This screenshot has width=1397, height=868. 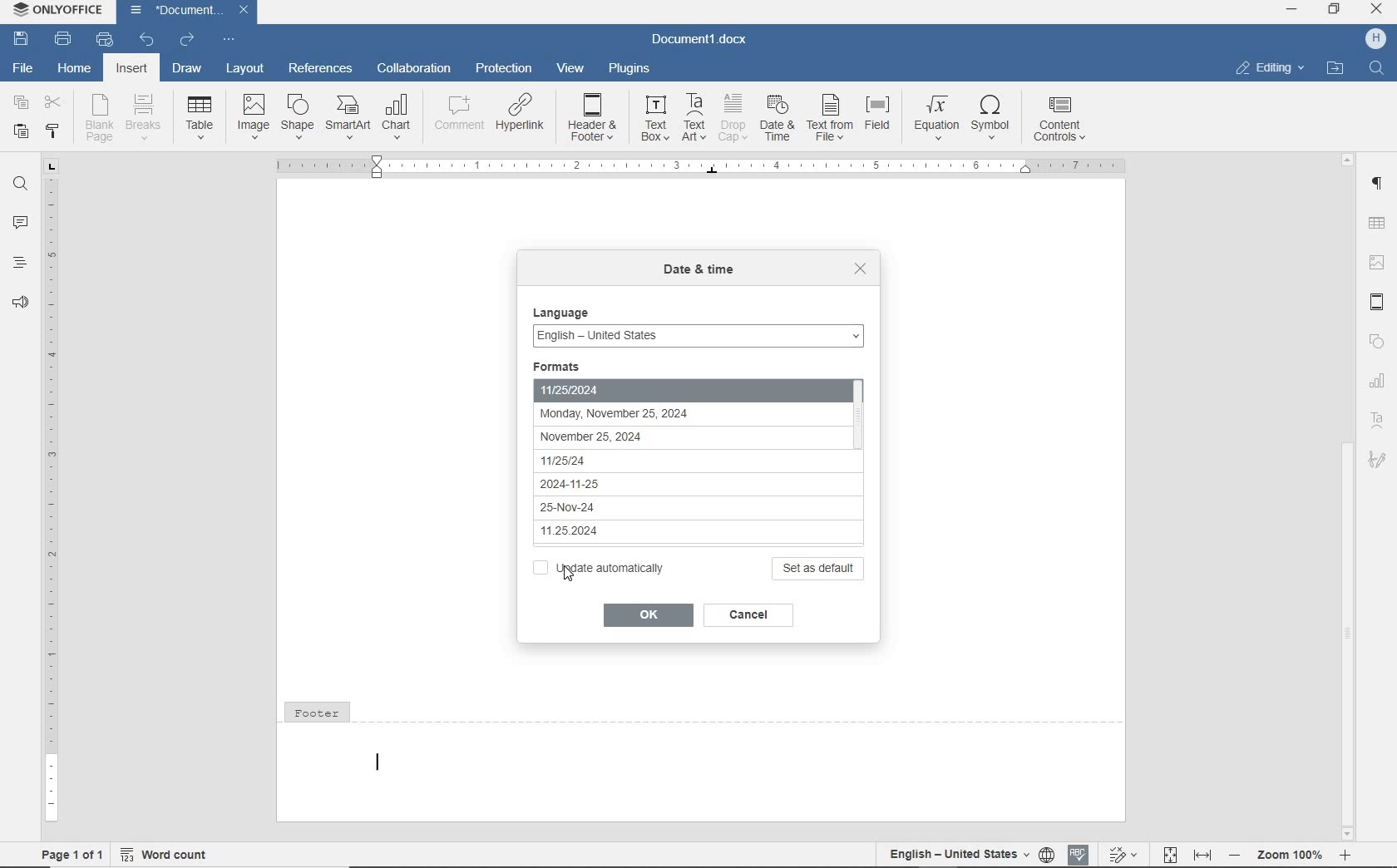 What do you see at coordinates (698, 332) in the screenshot?
I see `English — United States -` at bounding box center [698, 332].